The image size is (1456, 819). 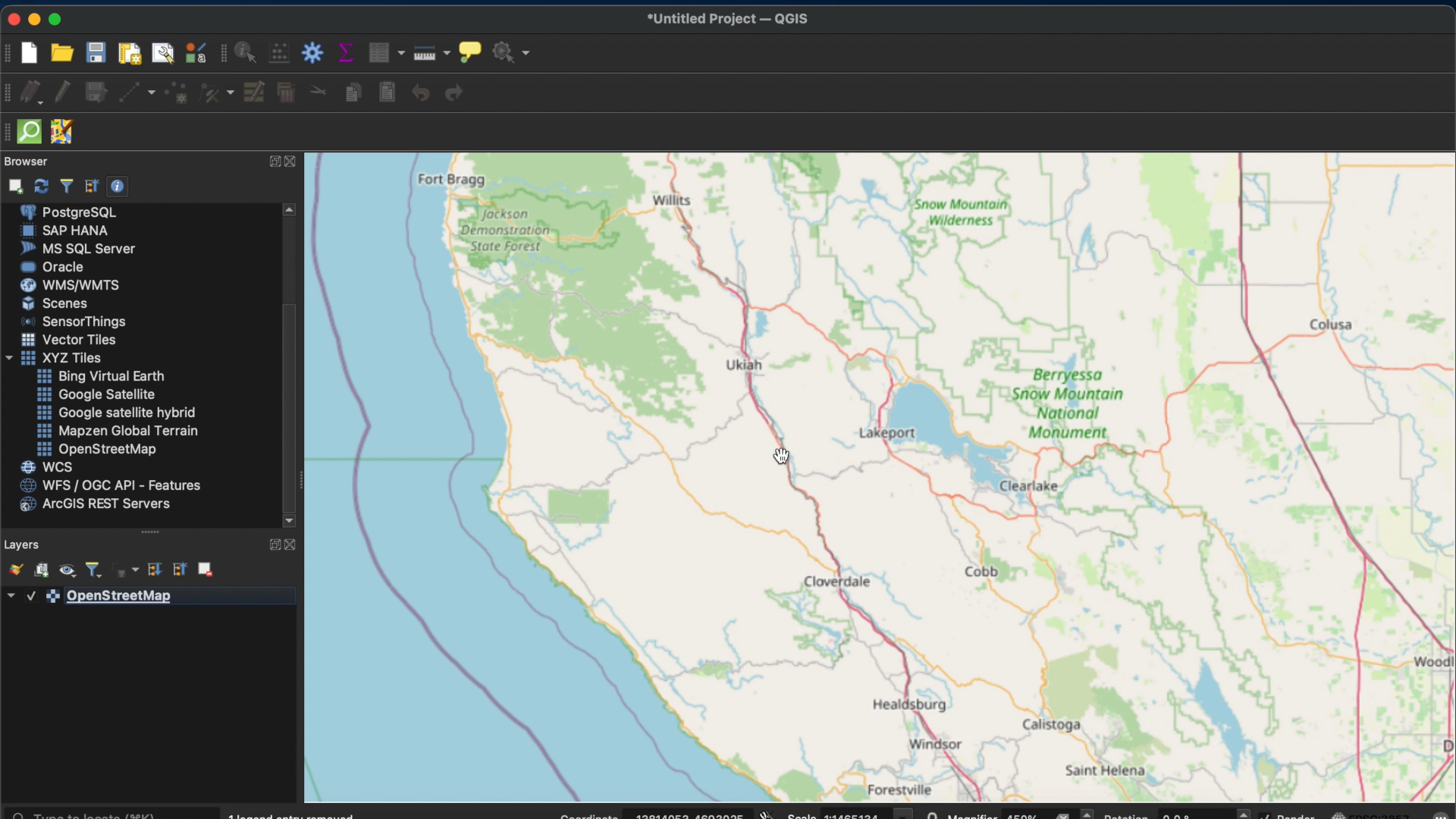 I want to click on openstreetmap, so click(x=95, y=450).